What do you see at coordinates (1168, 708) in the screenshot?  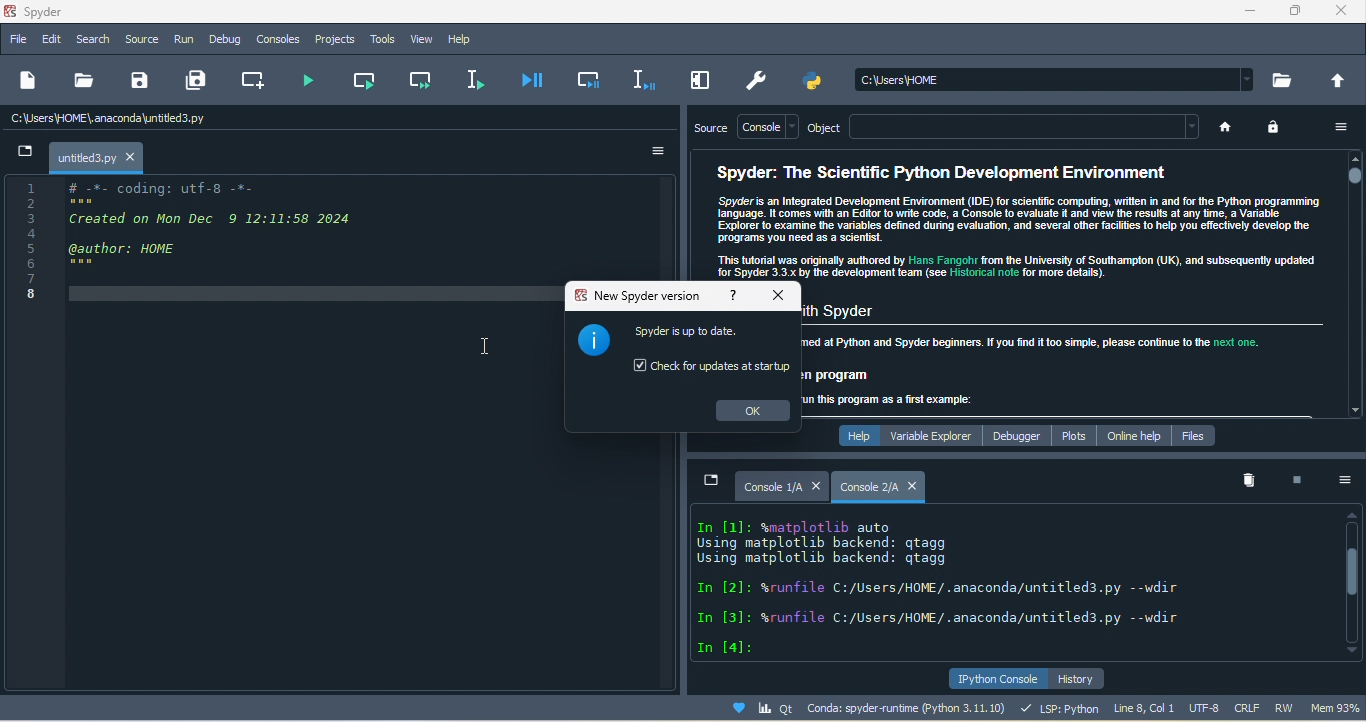 I see `line 8, col 1, utf 8` at bounding box center [1168, 708].